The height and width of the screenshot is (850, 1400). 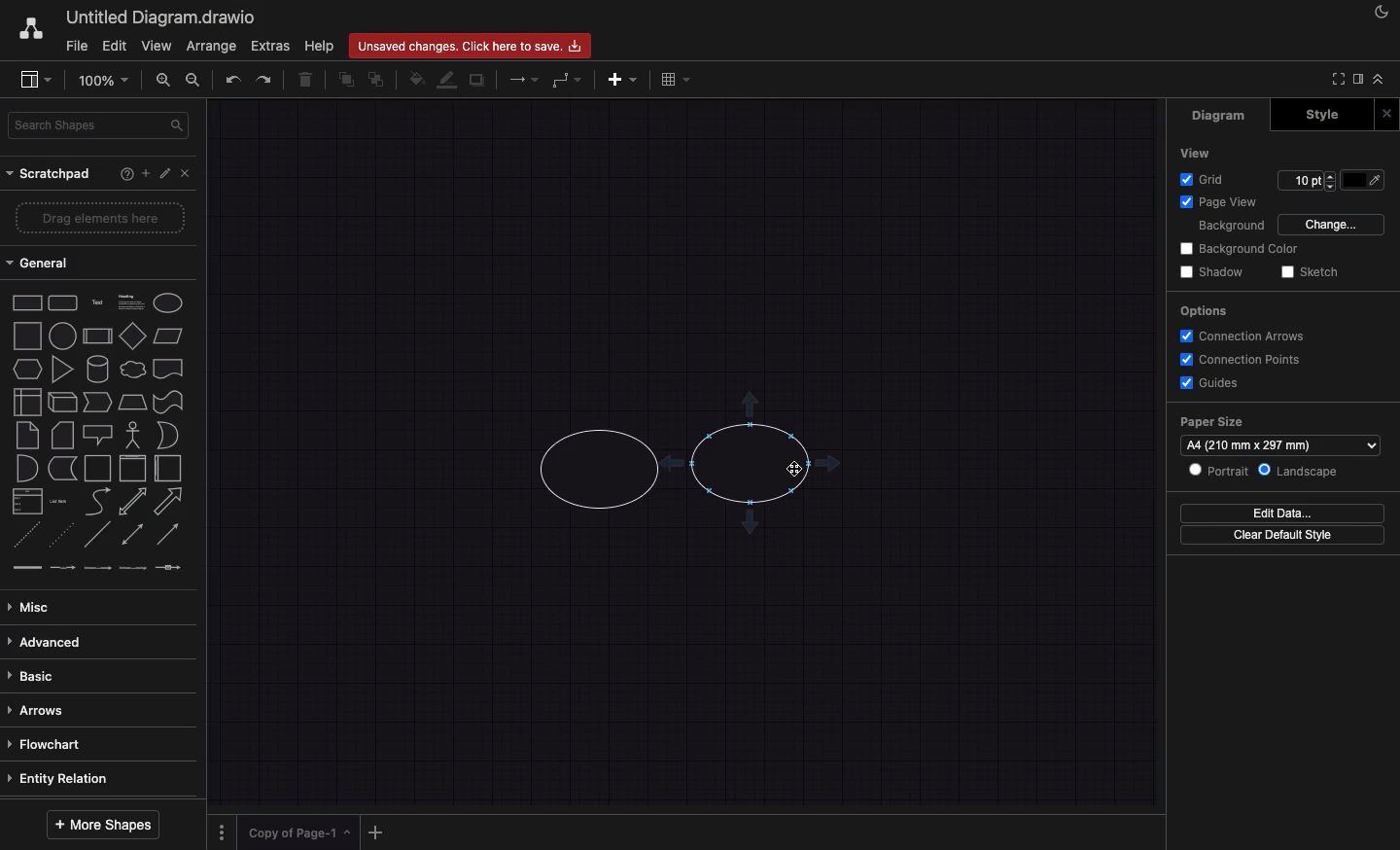 I want to click on options, so click(x=221, y=832).